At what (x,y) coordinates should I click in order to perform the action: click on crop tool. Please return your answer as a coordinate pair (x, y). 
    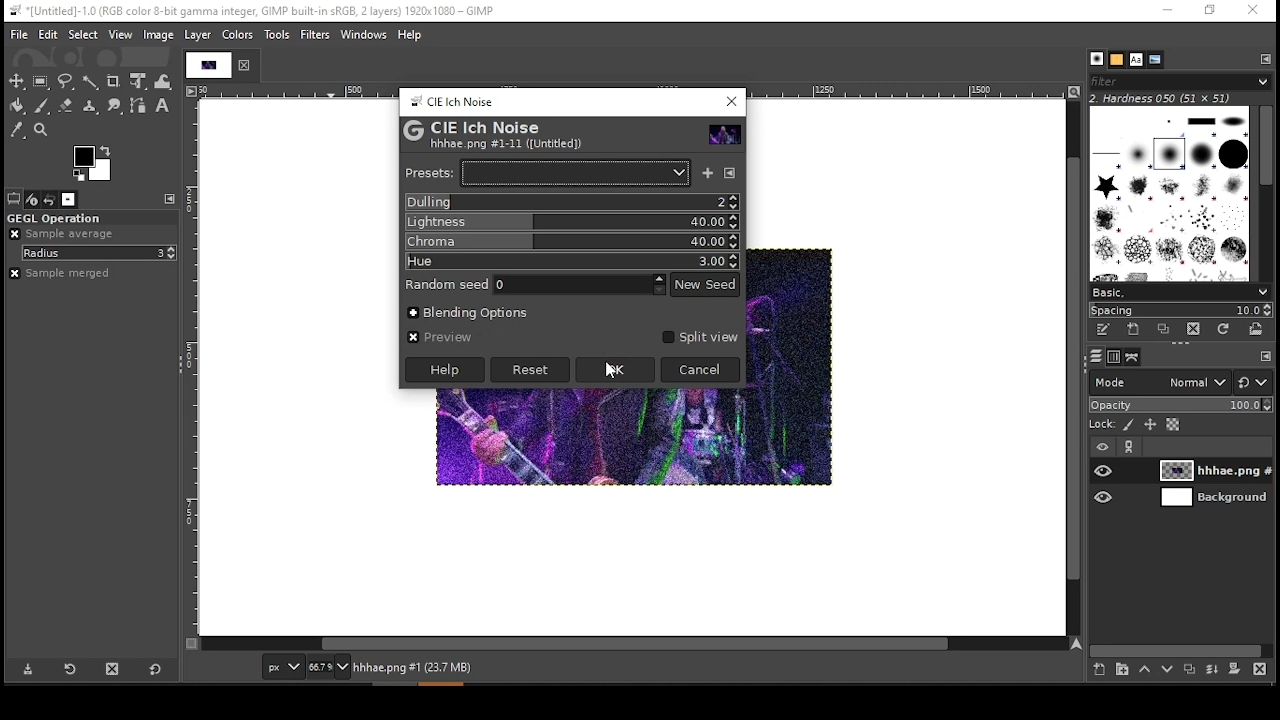
    Looking at the image, I should click on (114, 81).